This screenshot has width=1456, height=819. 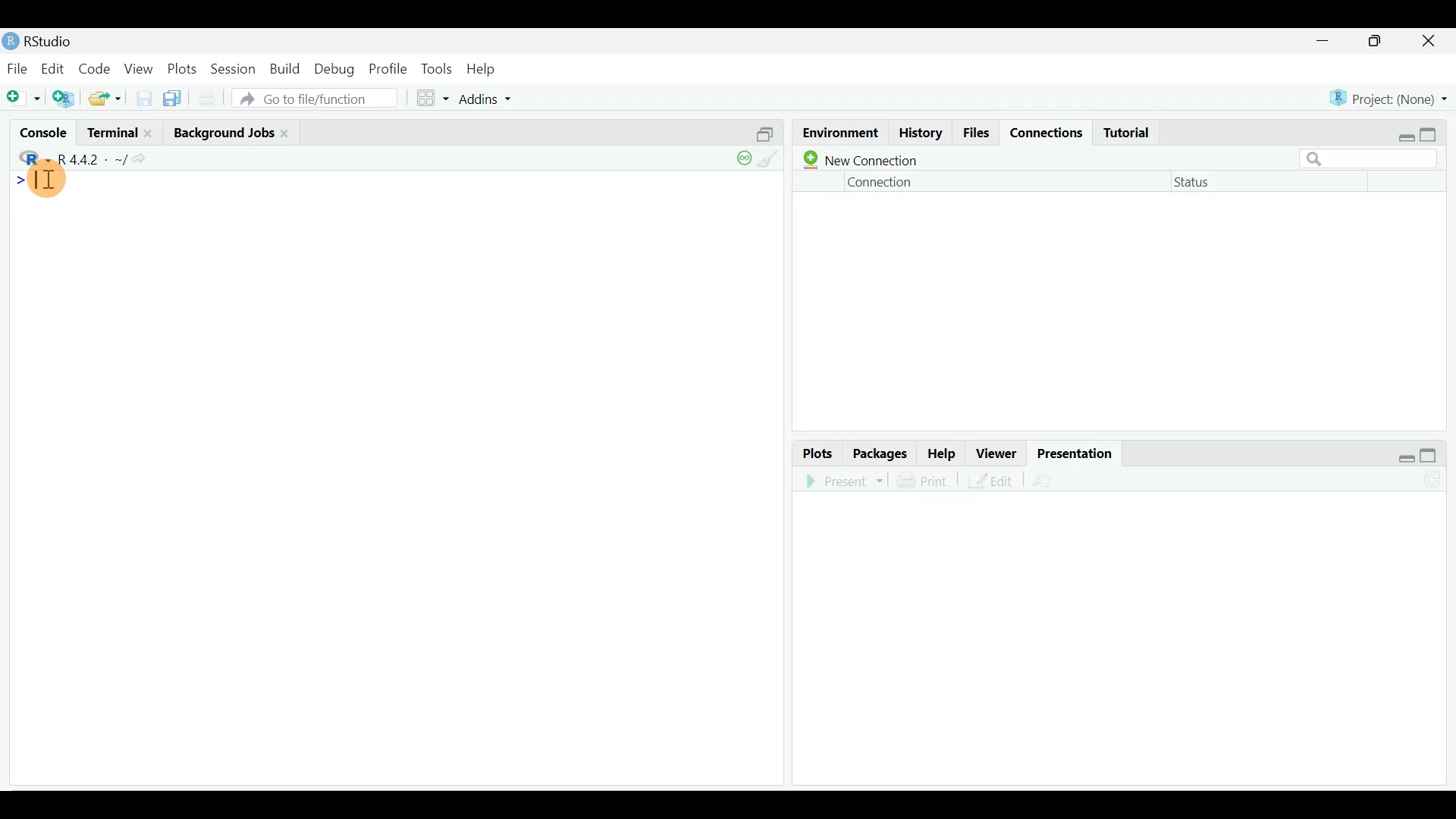 I want to click on Edit, so click(x=55, y=67).